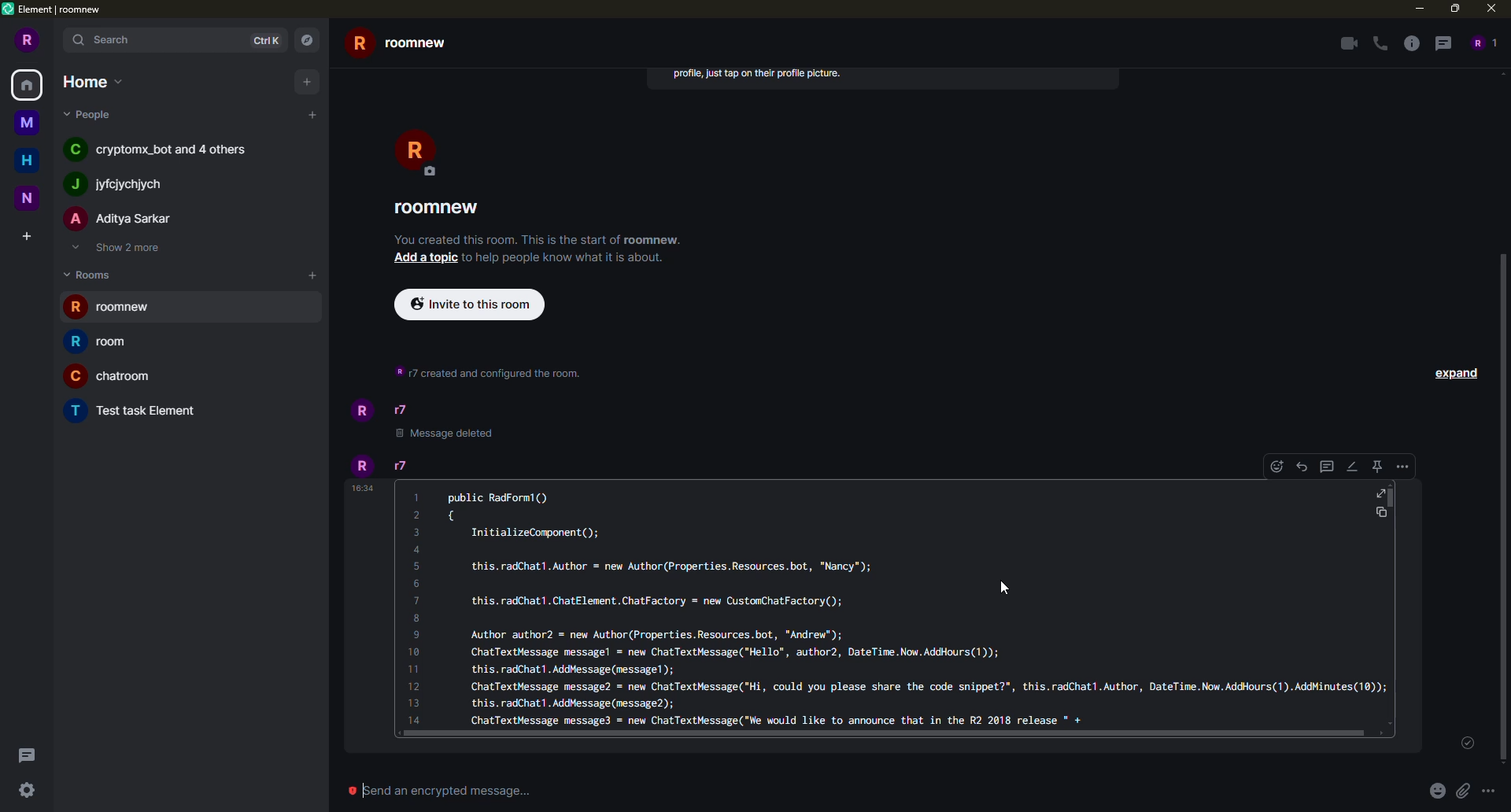  What do you see at coordinates (53, 8) in the screenshot?
I see `element` at bounding box center [53, 8].